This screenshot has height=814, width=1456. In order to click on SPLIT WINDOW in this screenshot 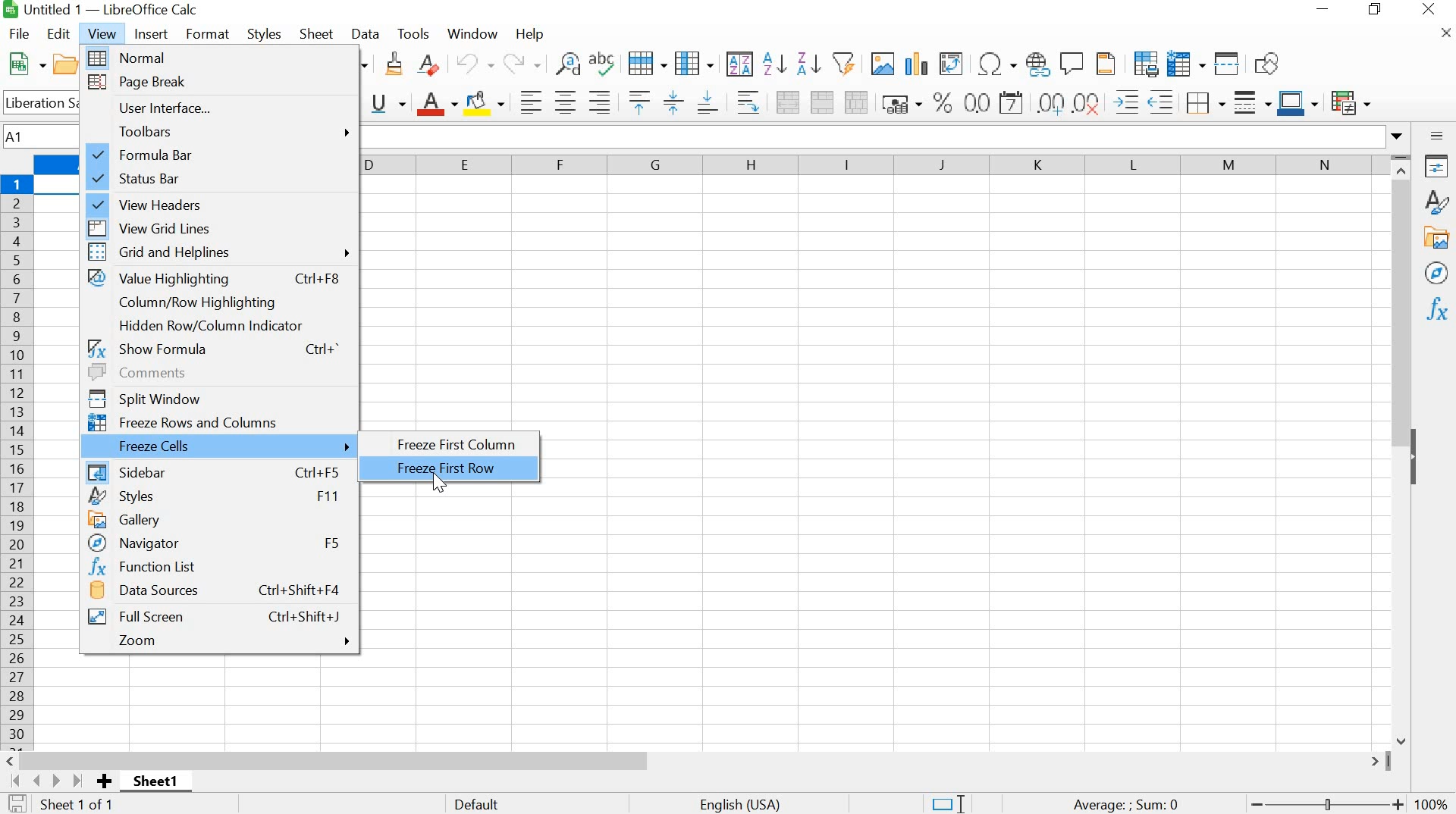, I will do `click(1225, 63)`.